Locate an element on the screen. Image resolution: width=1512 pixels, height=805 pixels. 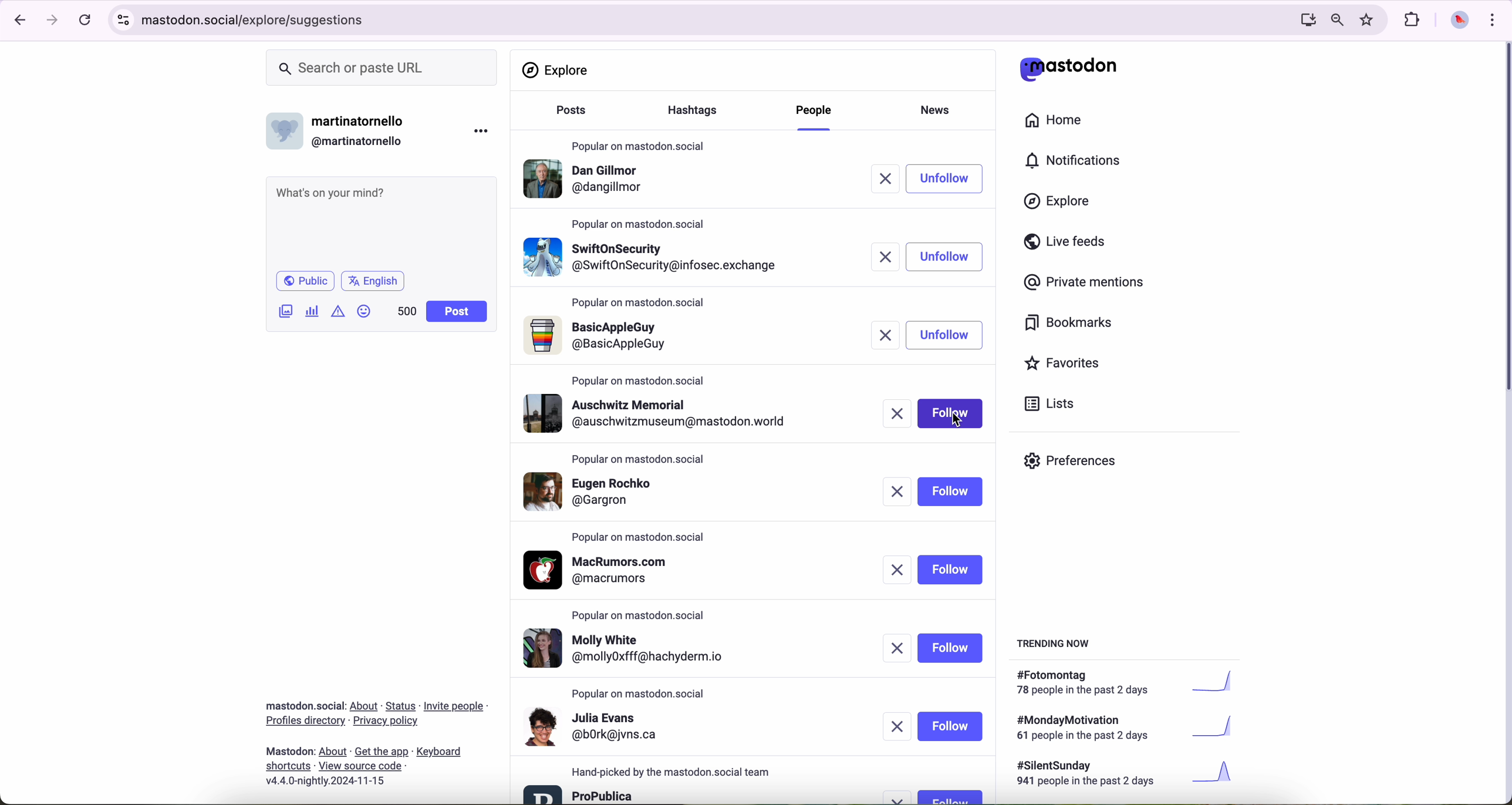
profile is located at coordinates (601, 336).